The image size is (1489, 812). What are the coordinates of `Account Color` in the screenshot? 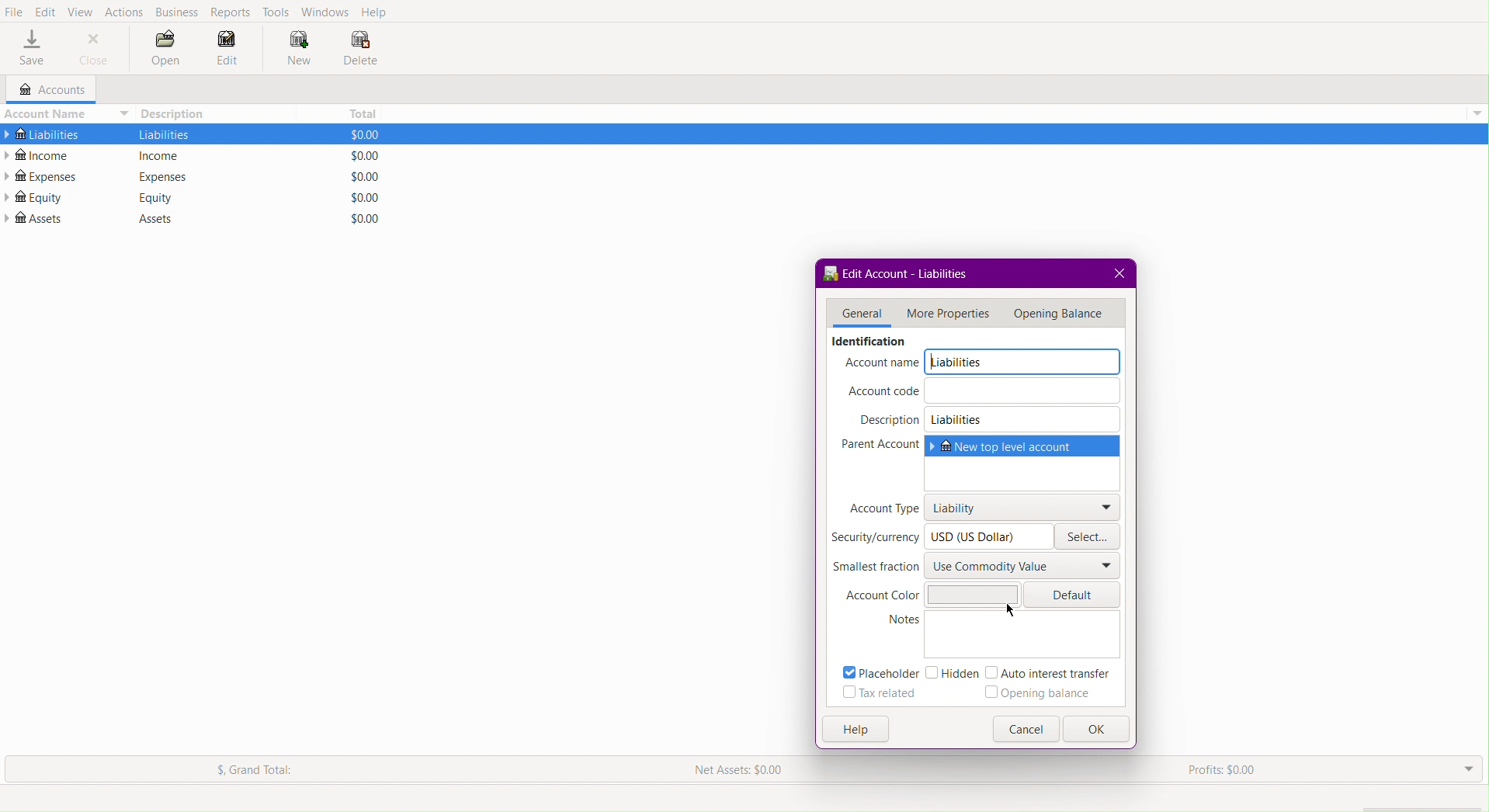 It's located at (881, 595).